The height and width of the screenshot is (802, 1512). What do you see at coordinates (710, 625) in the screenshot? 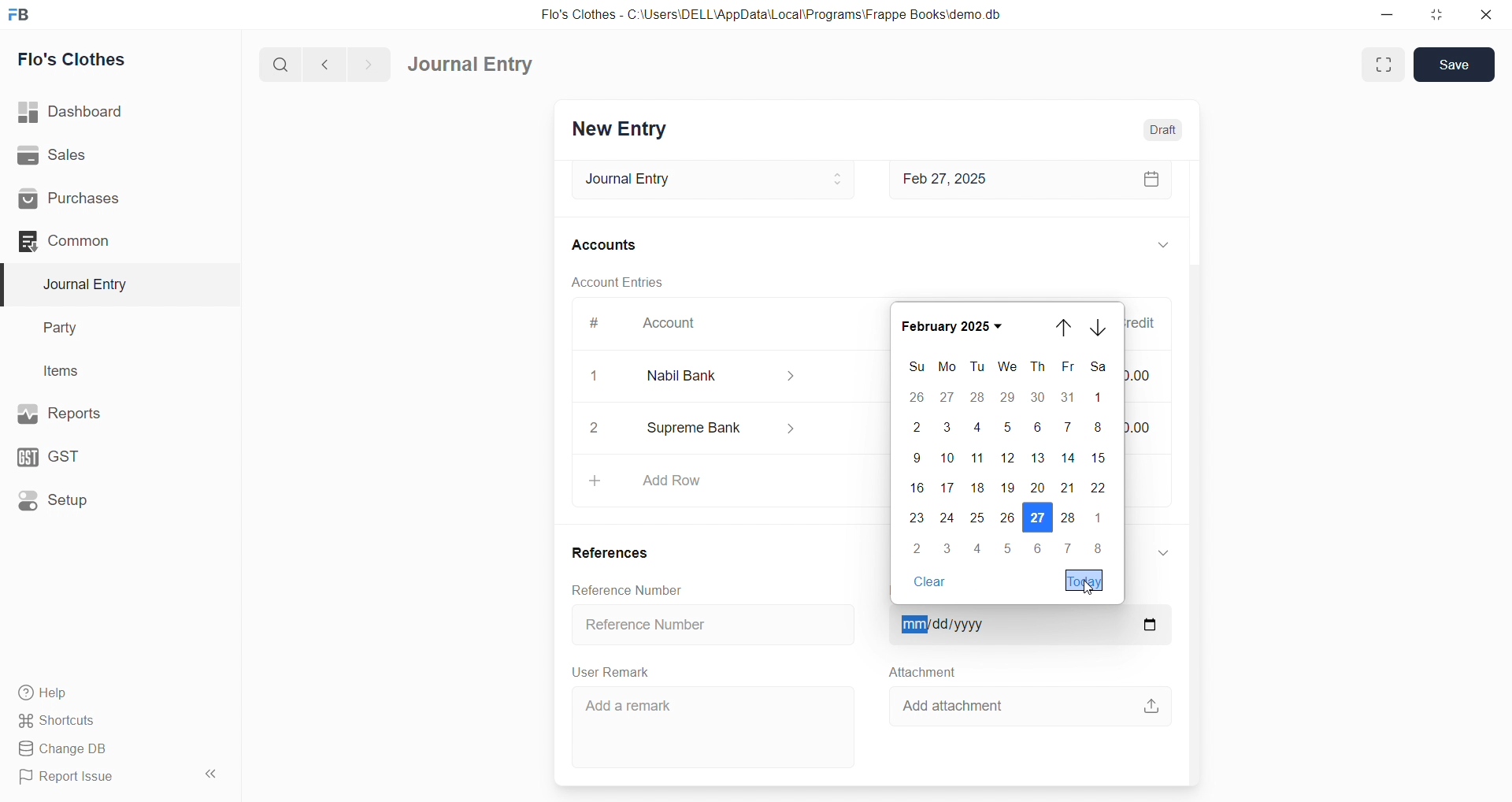
I see `Reference Number` at bounding box center [710, 625].